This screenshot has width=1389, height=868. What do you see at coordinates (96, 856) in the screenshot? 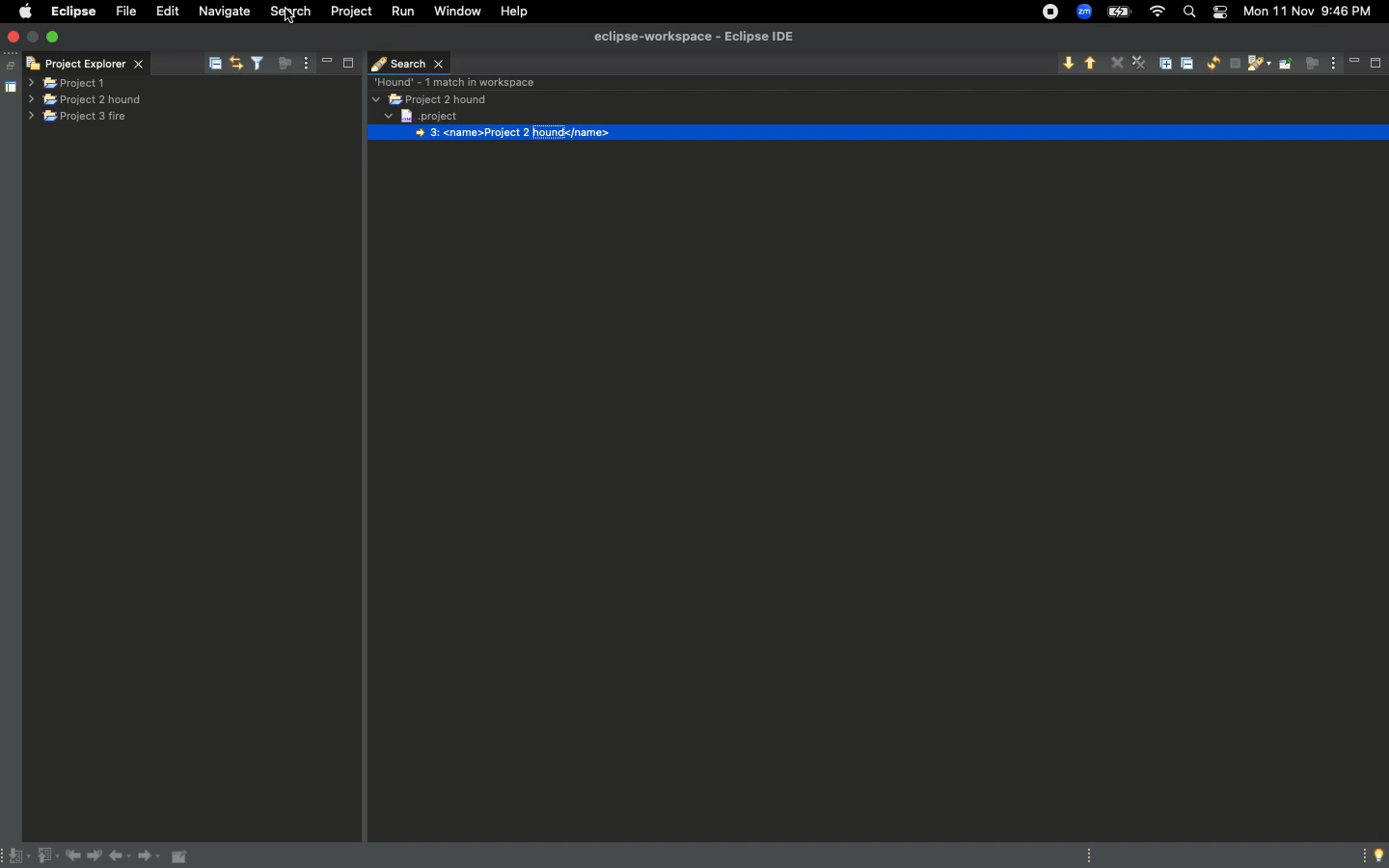
I see `Next edit location` at bounding box center [96, 856].